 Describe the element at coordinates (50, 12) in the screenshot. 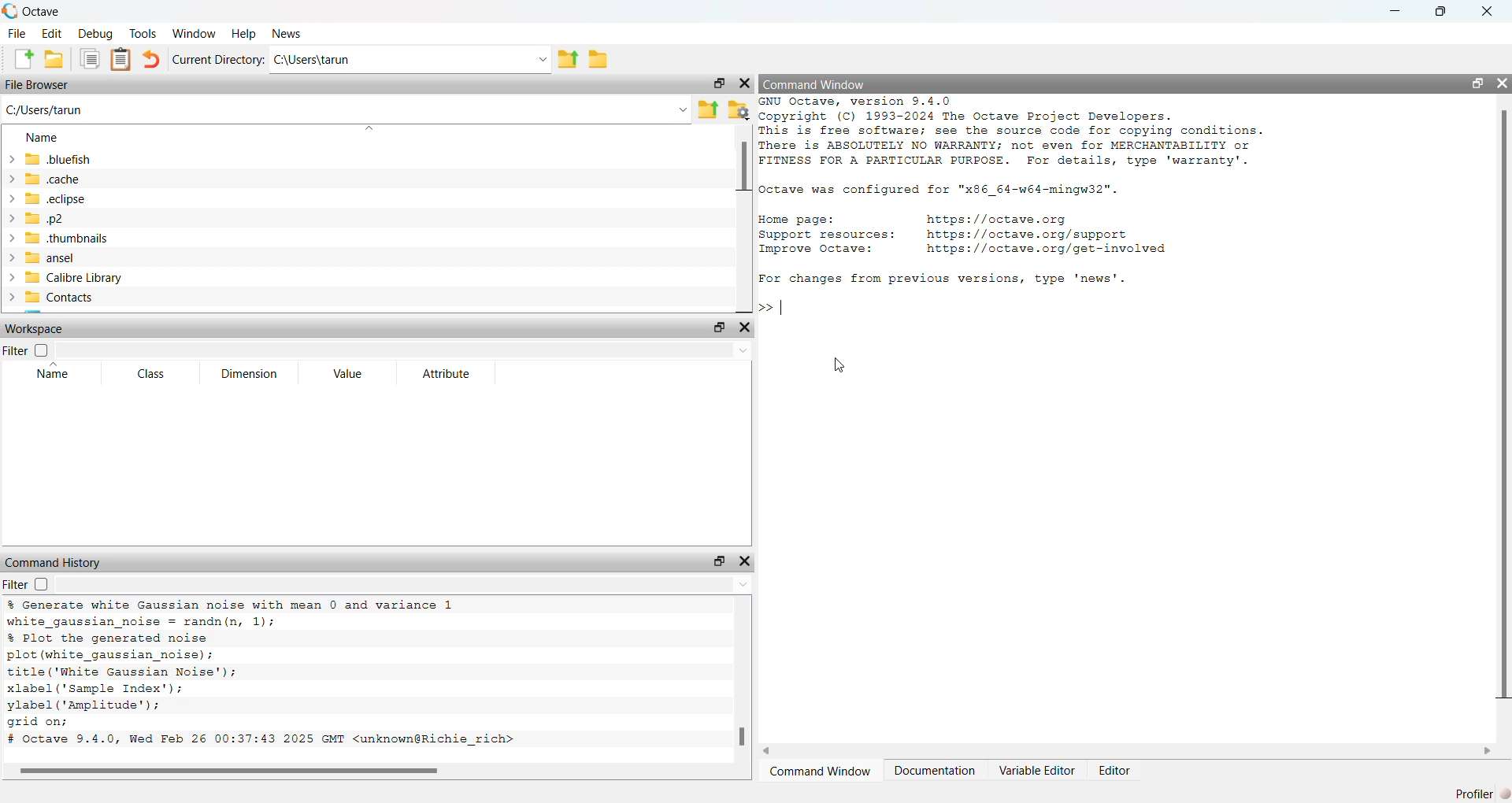

I see ` Octave` at that location.